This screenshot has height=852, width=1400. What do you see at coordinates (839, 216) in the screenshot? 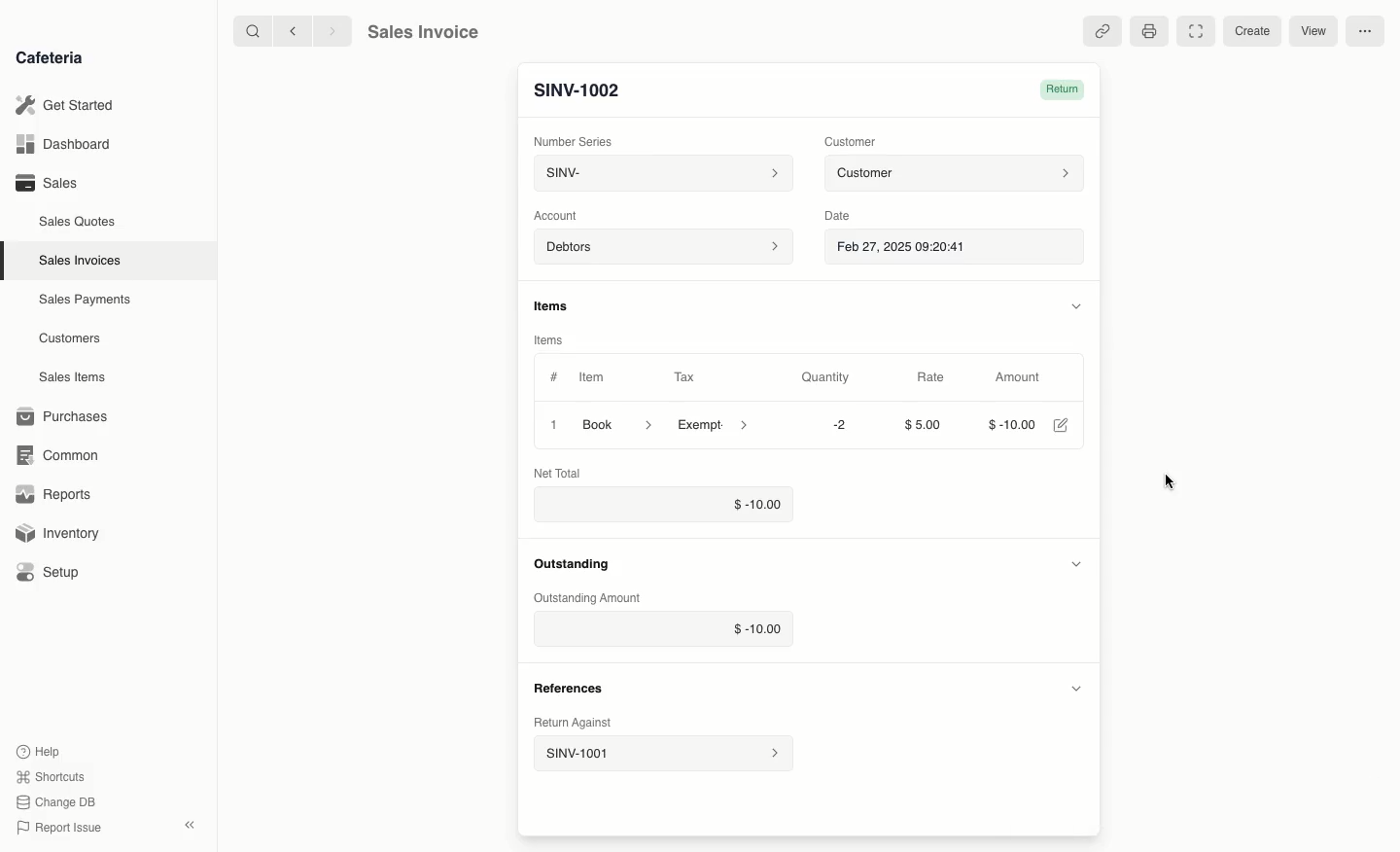
I see `Date` at bounding box center [839, 216].